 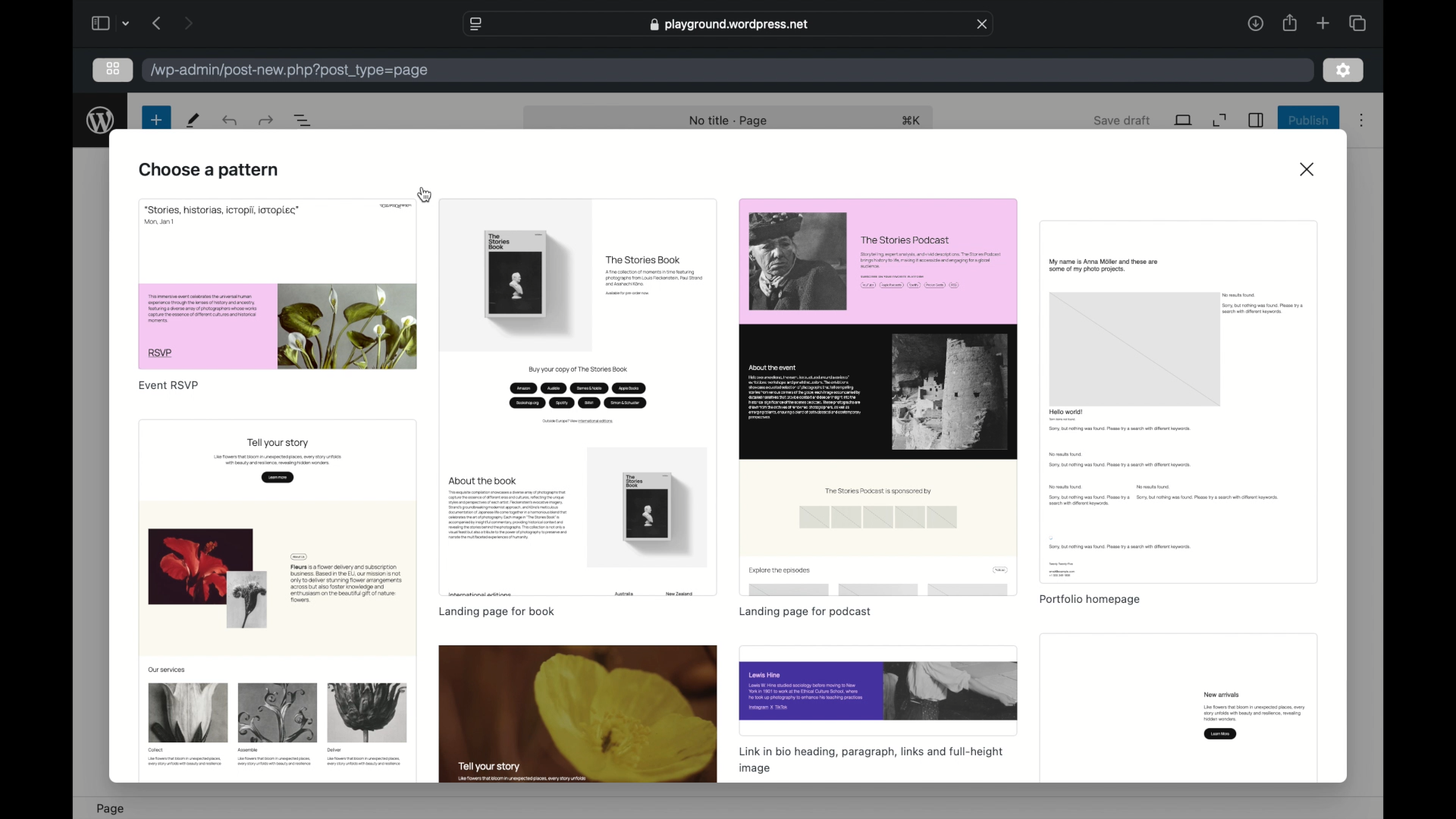 I want to click on template preview, so click(x=276, y=601).